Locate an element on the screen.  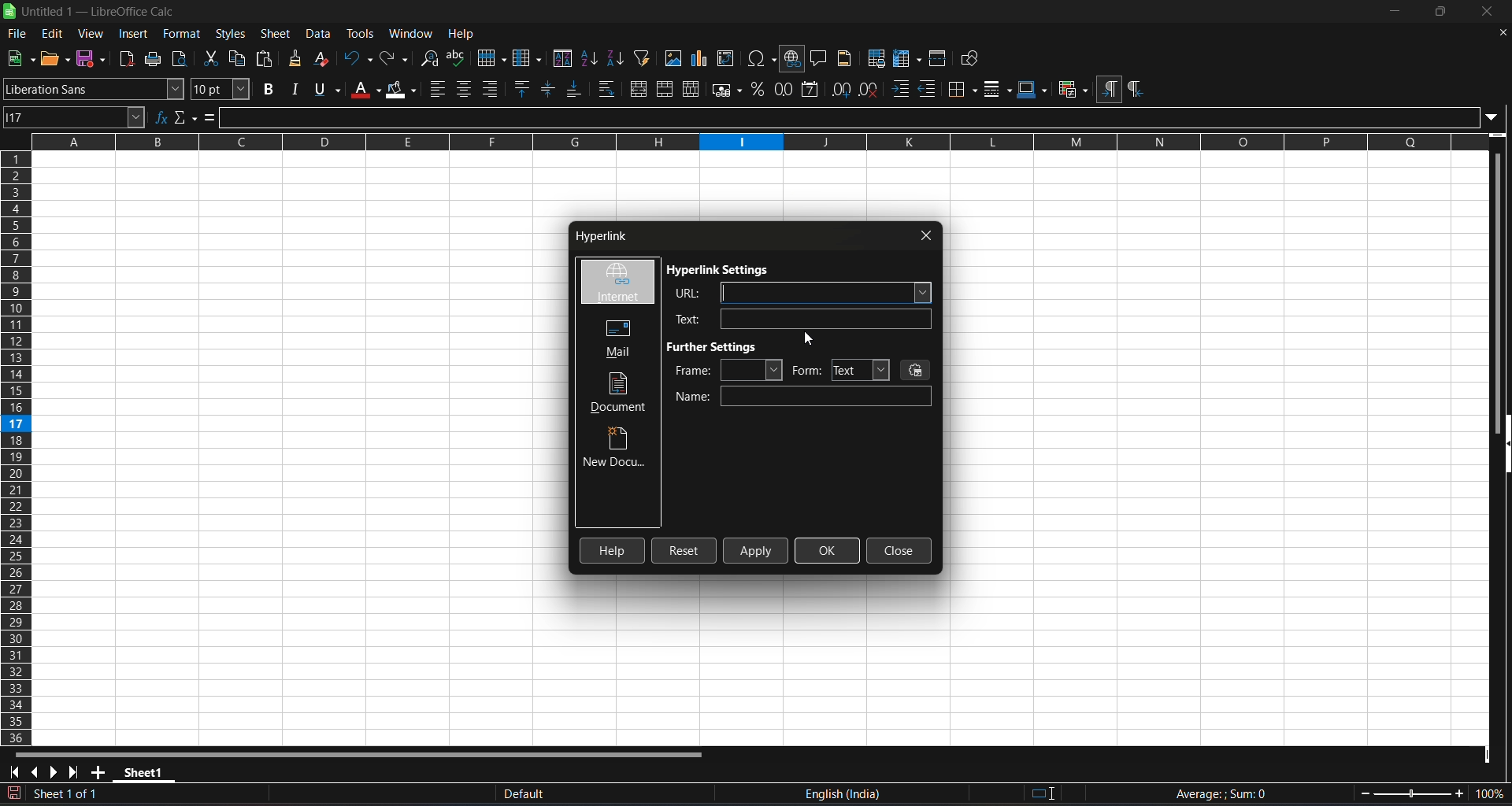
further settings is located at coordinates (717, 346).